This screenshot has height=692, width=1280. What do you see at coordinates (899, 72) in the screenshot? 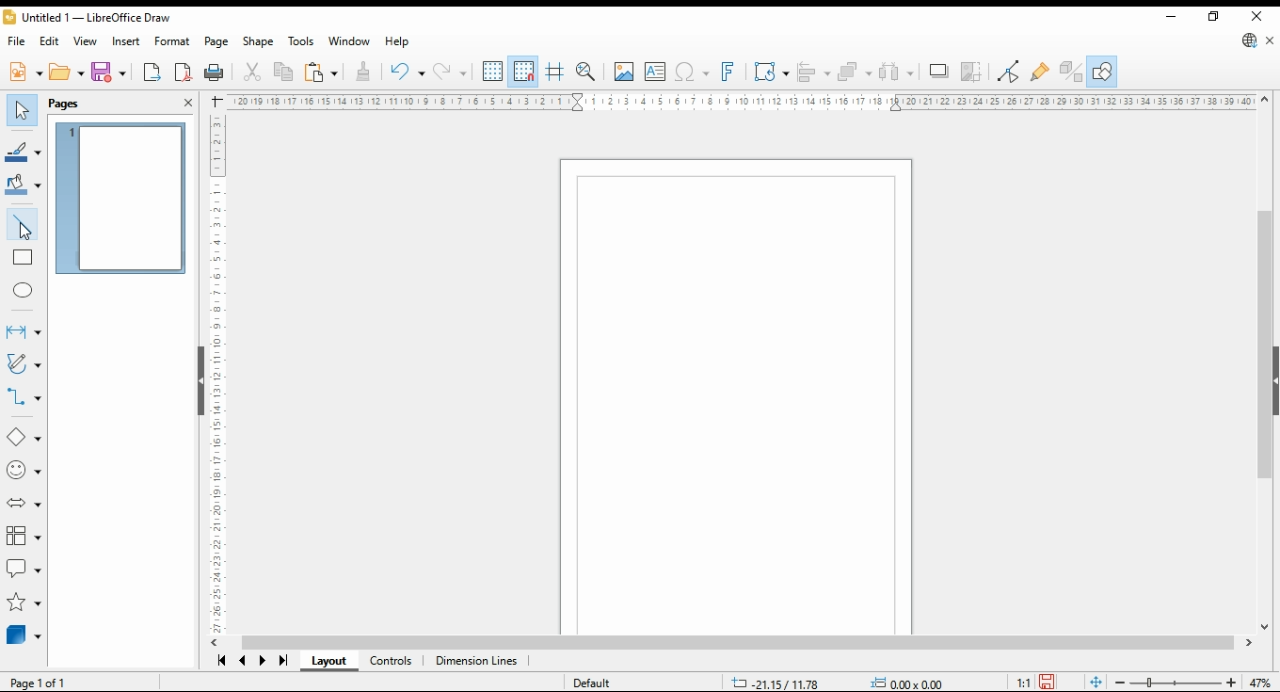
I see `select at least three objects to distribute` at bounding box center [899, 72].